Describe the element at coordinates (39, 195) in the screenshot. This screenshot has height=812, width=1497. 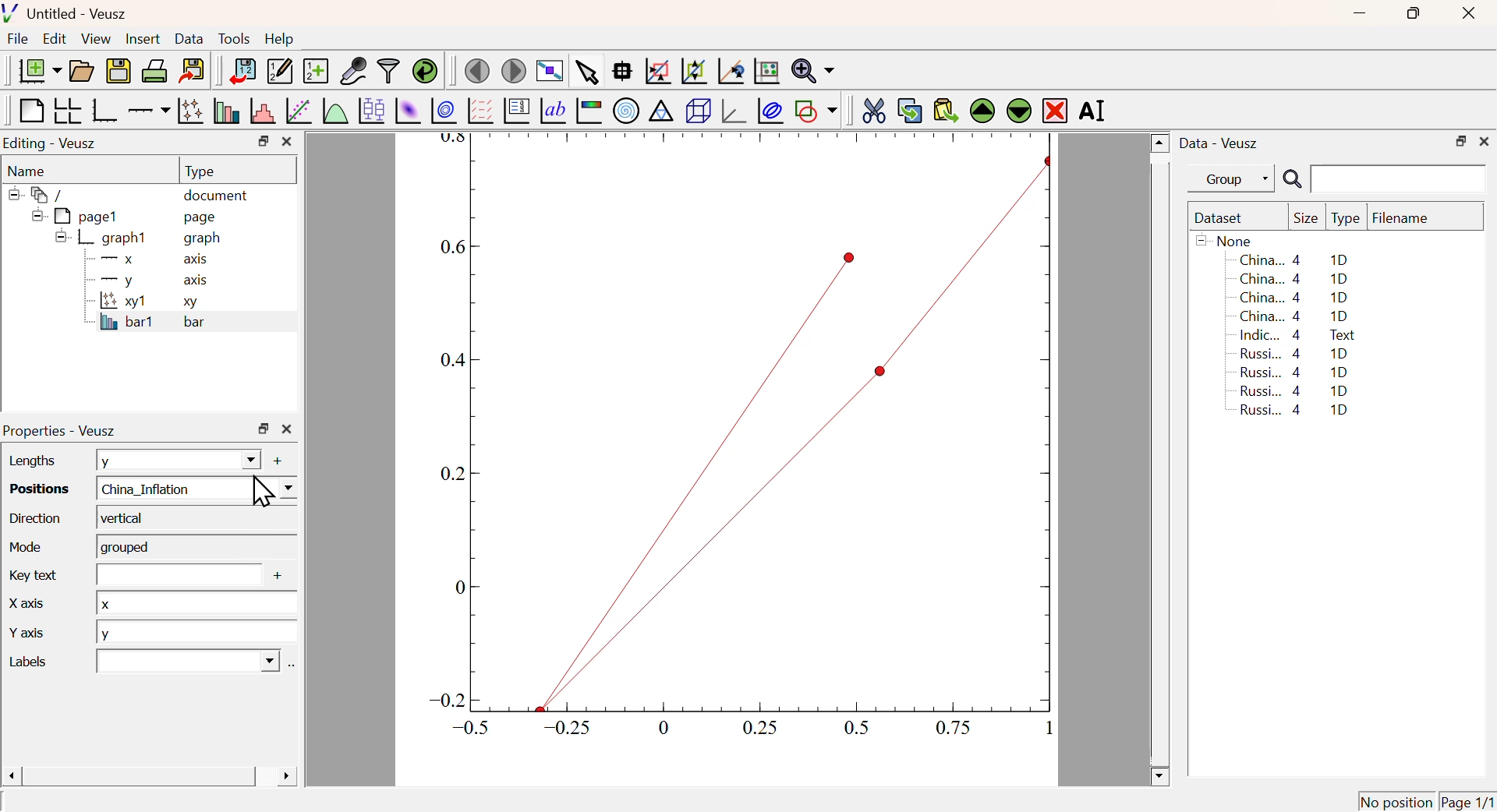
I see `/` at that location.